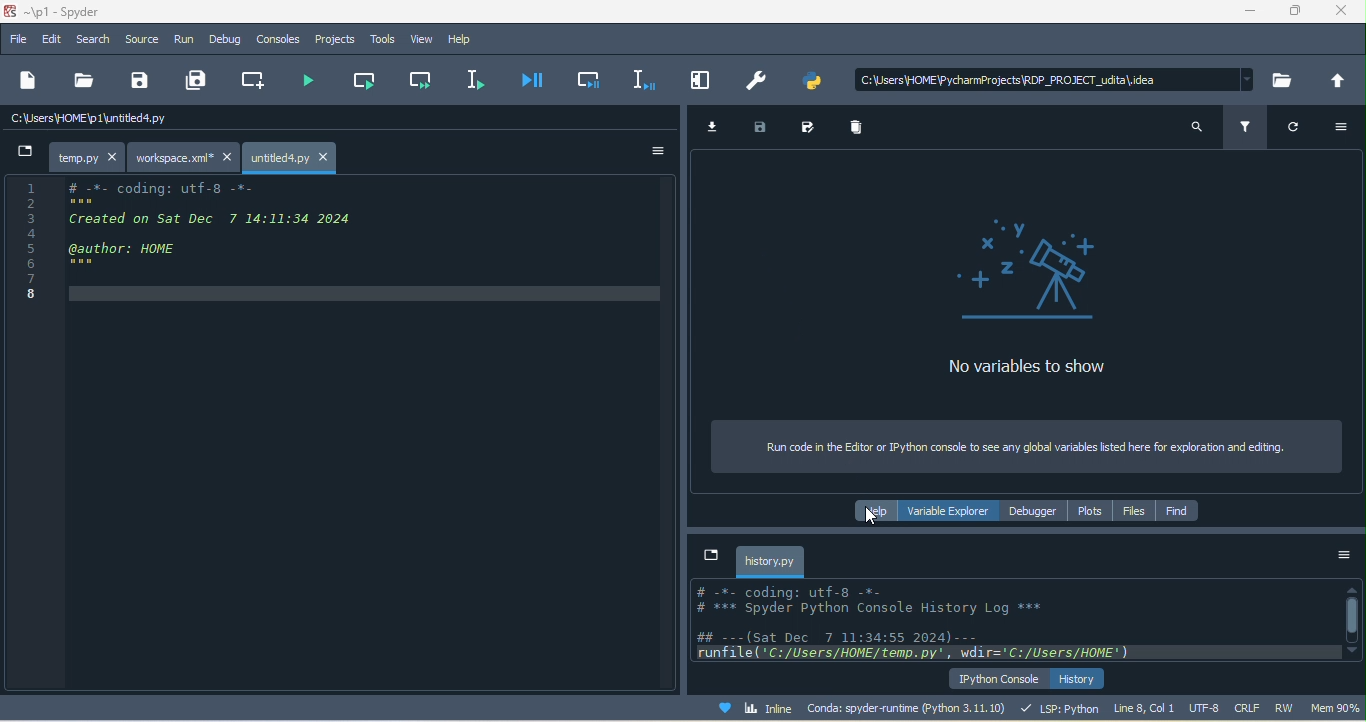 The image size is (1366, 722). What do you see at coordinates (1284, 708) in the screenshot?
I see `rw` at bounding box center [1284, 708].